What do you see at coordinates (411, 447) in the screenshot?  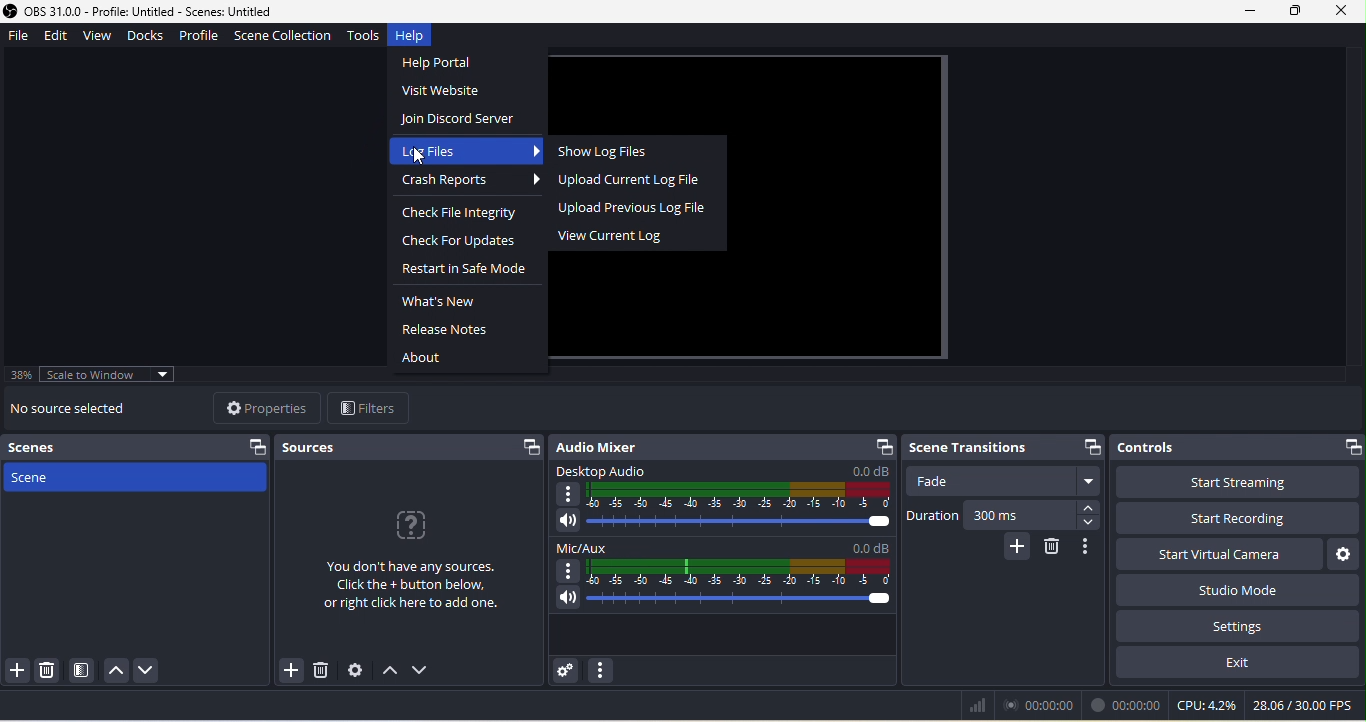 I see `sources` at bounding box center [411, 447].